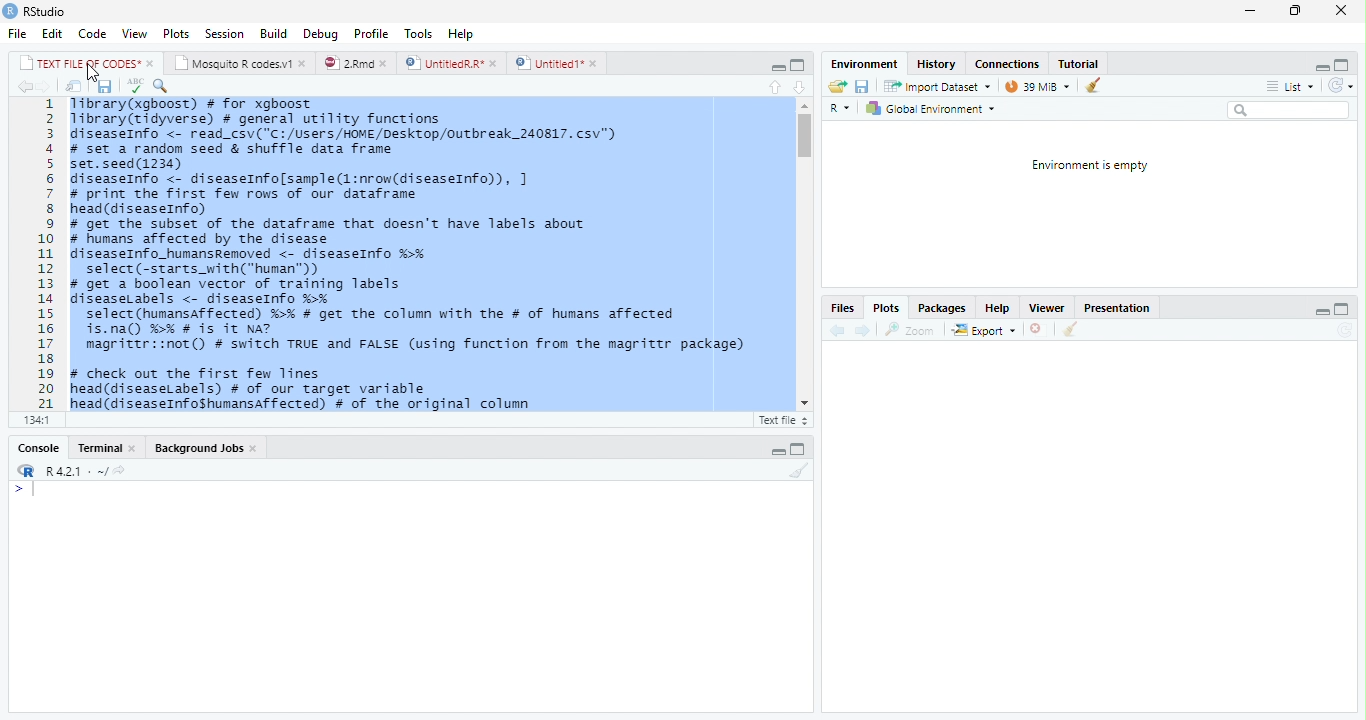 This screenshot has width=1366, height=720. Describe the element at coordinates (1071, 330) in the screenshot. I see `Clean` at that location.